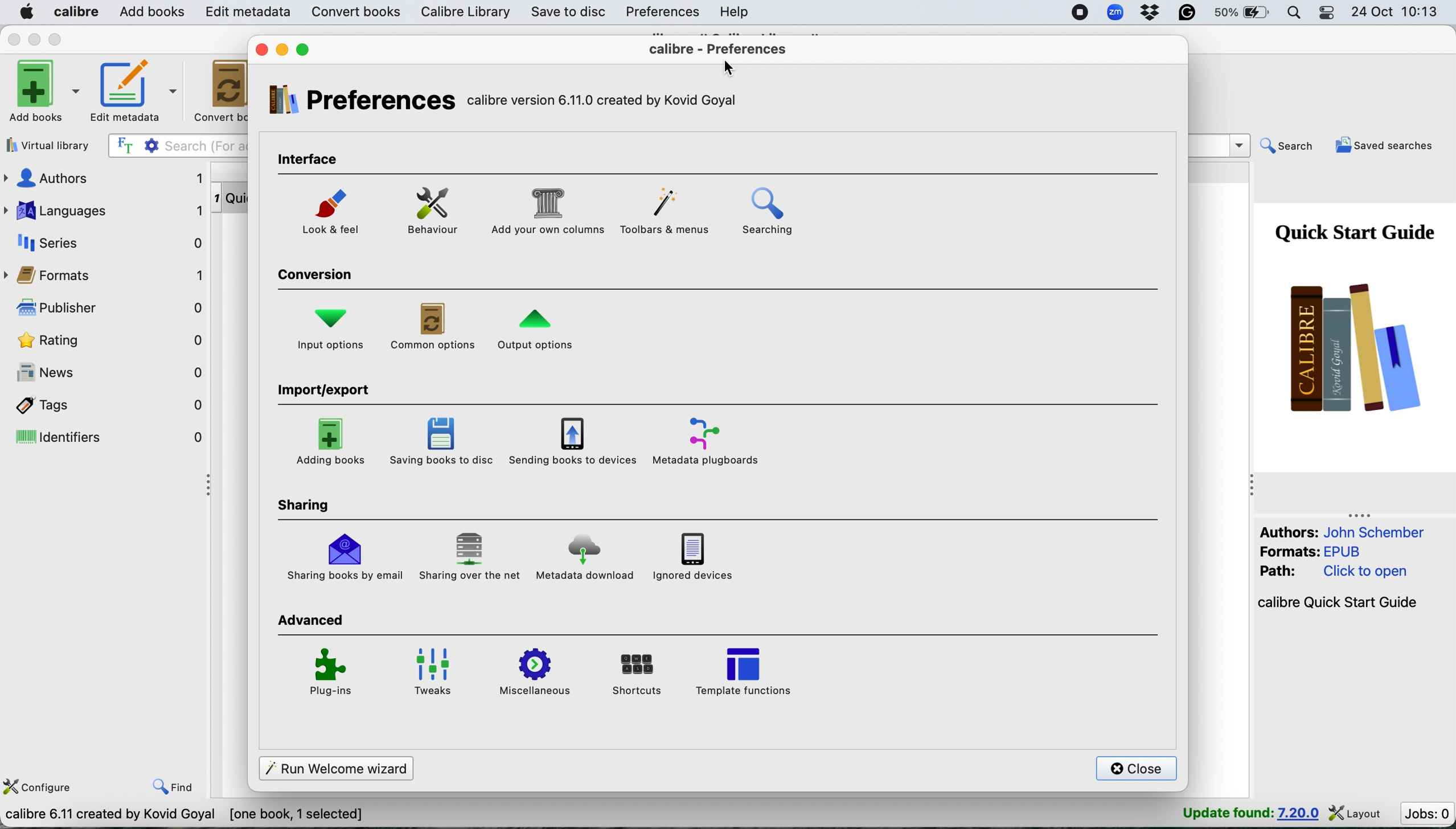 The height and width of the screenshot is (829, 1456). What do you see at coordinates (124, 146) in the screenshot?
I see `full text` at bounding box center [124, 146].